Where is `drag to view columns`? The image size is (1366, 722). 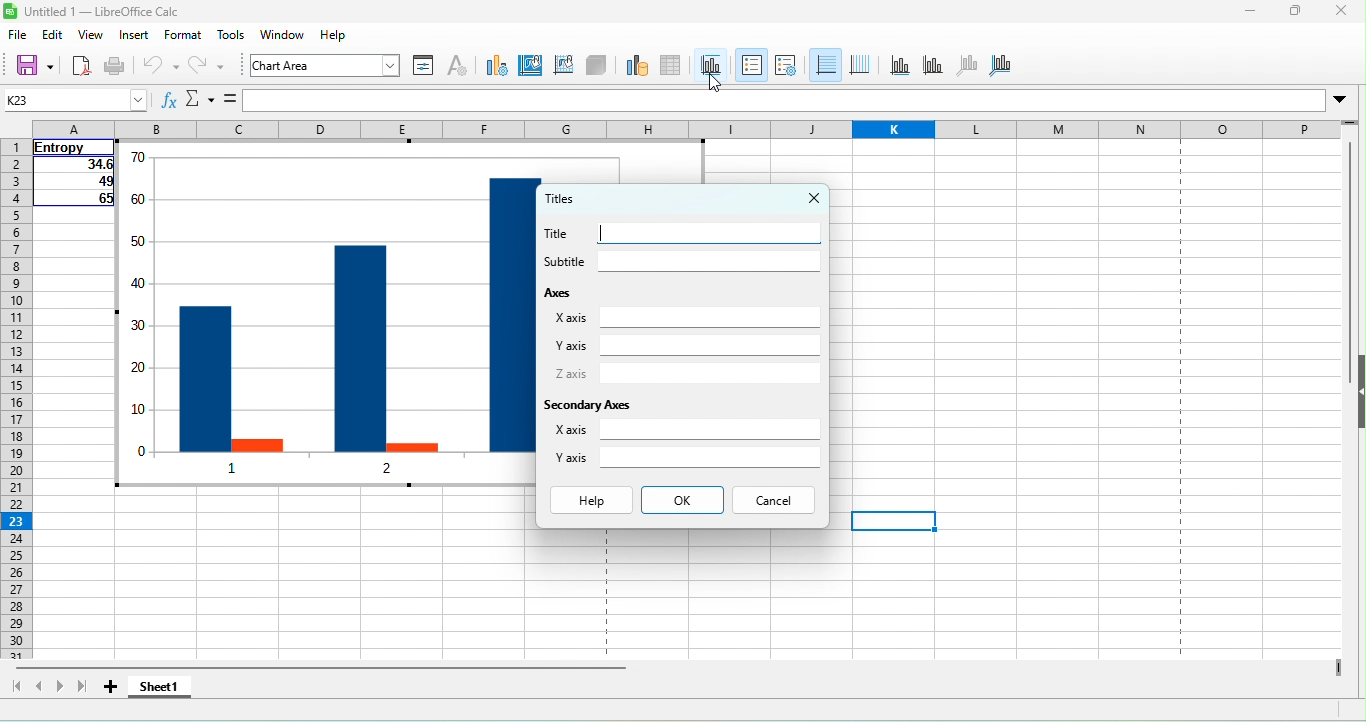
drag to view columns is located at coordinates (1335, 666).